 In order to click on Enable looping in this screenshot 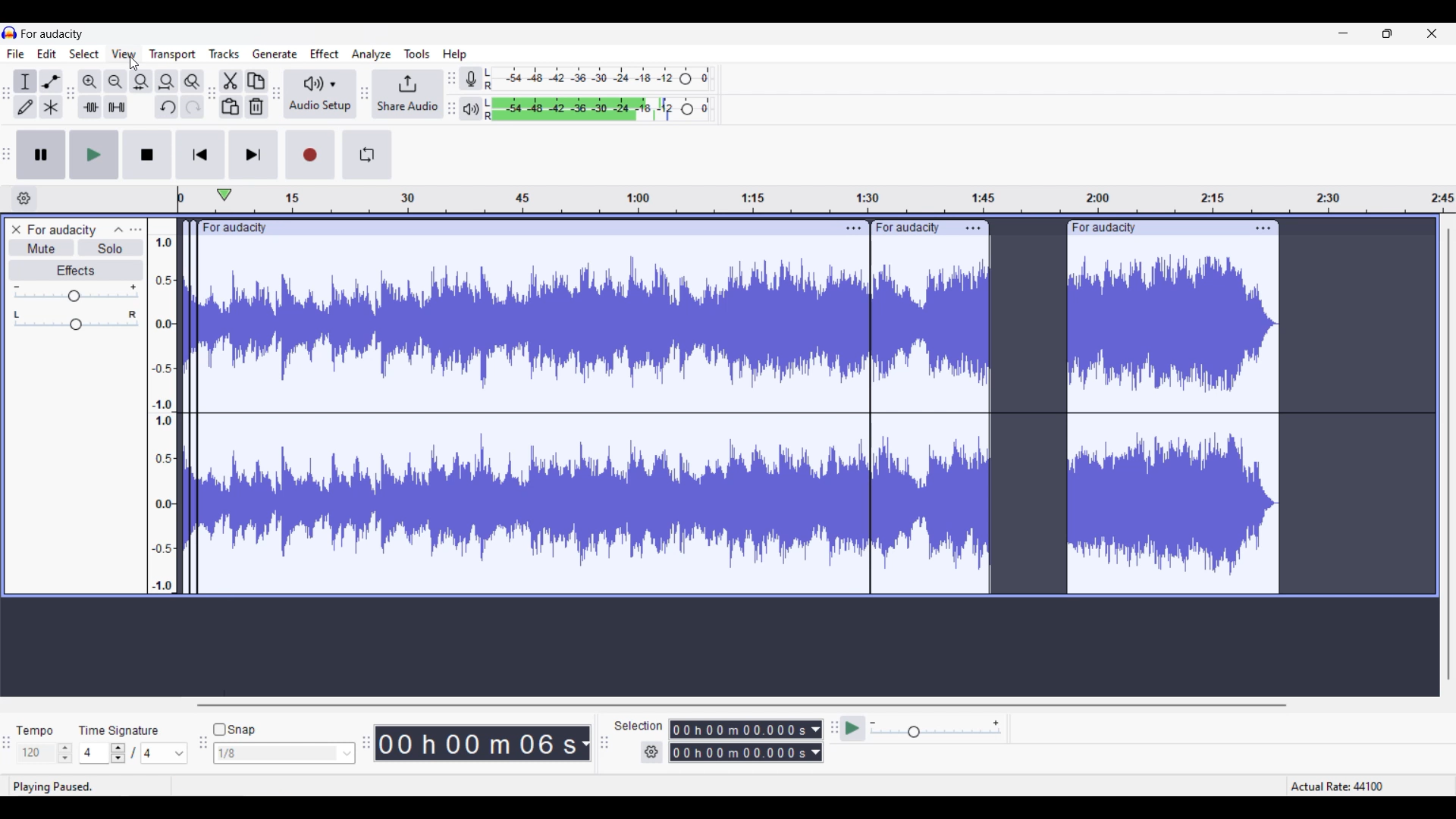, I will do `click(368, 155)`.